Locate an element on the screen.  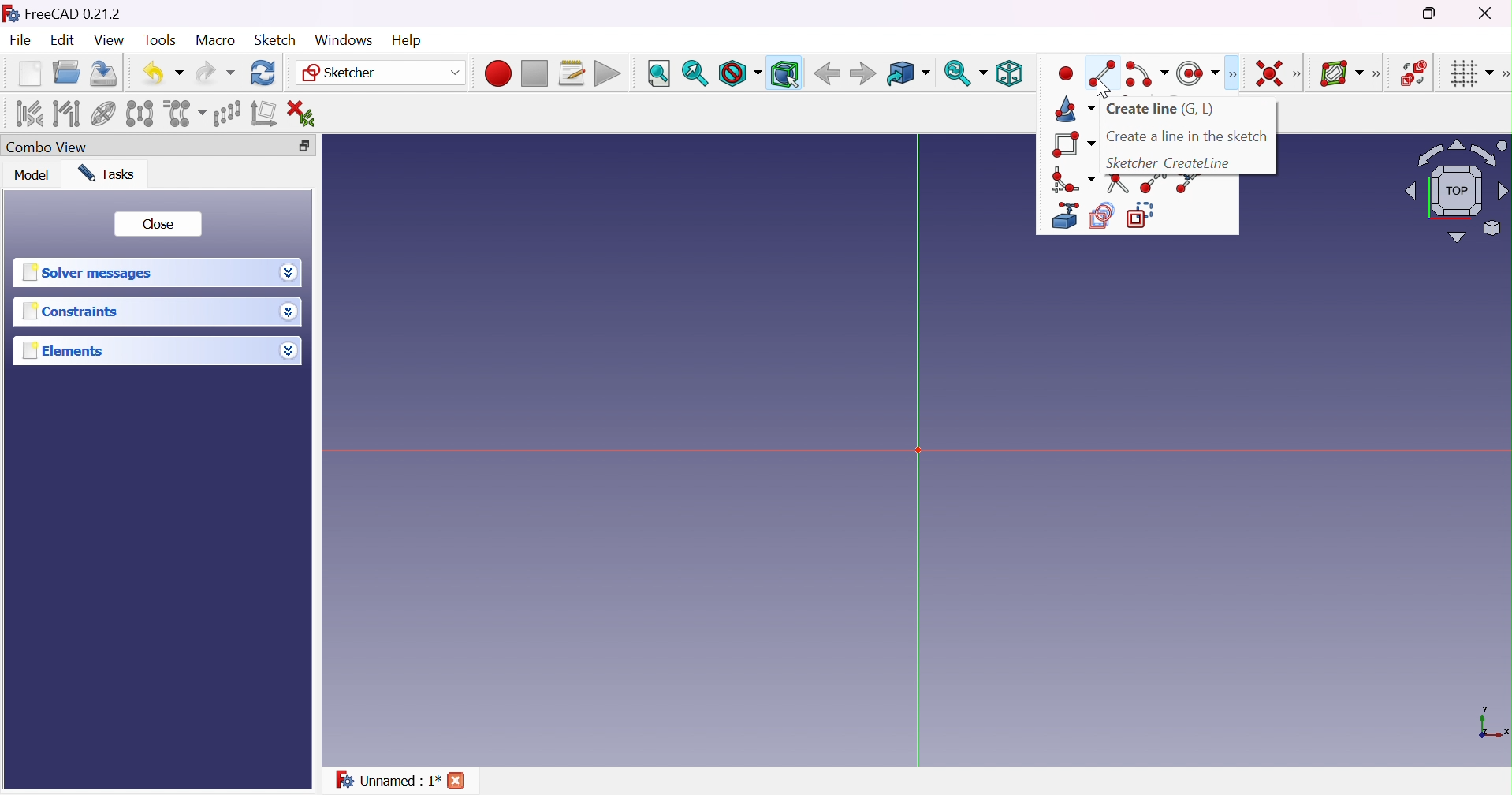
Isometric is located at coordinates (1010, 73).